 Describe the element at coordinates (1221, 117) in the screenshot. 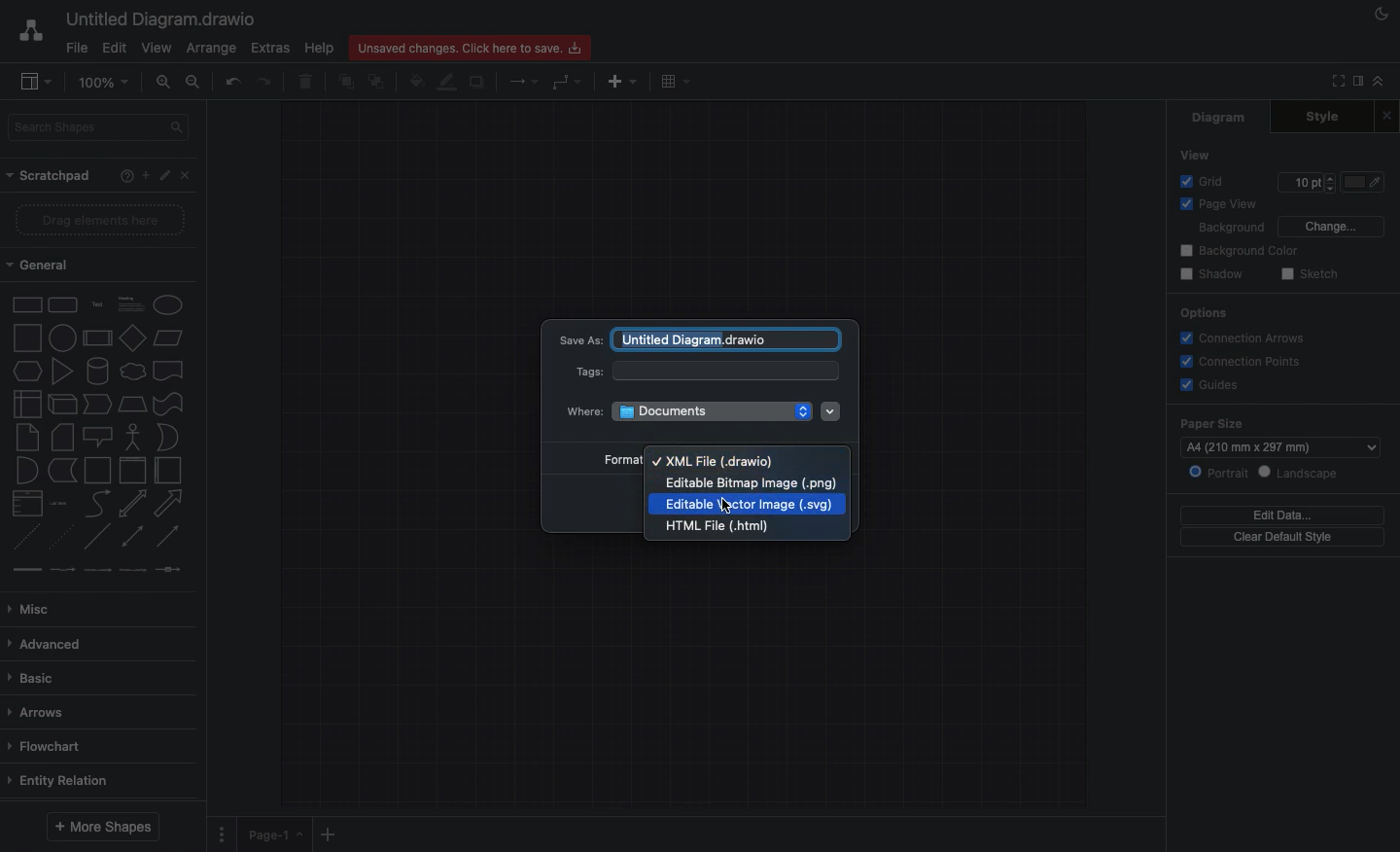

I see `Diagram` at that location.